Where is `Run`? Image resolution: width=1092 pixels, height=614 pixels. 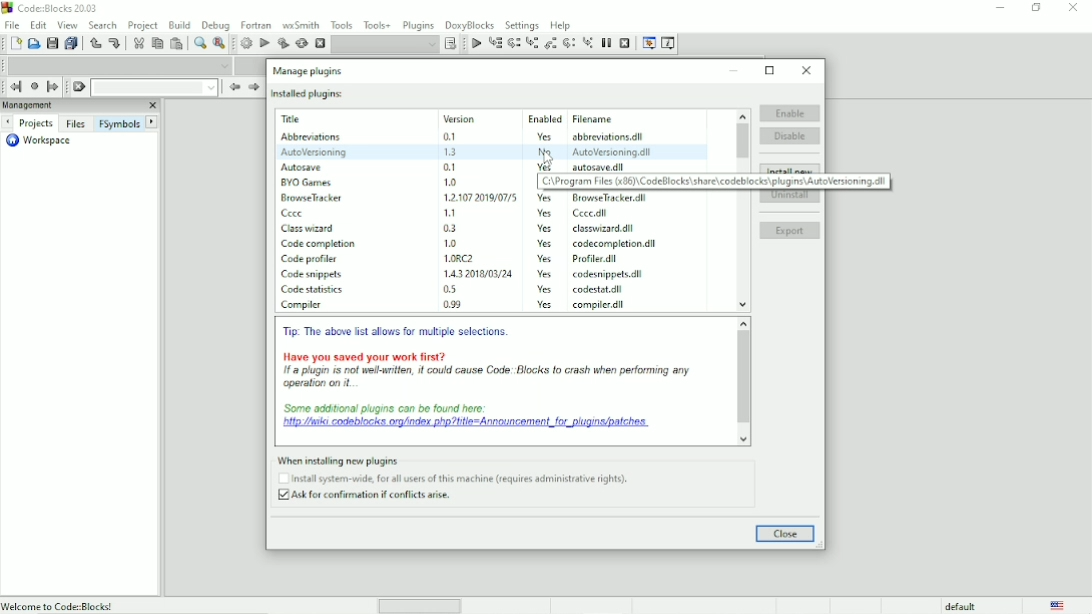 Run is located at coordinates (265, 44).